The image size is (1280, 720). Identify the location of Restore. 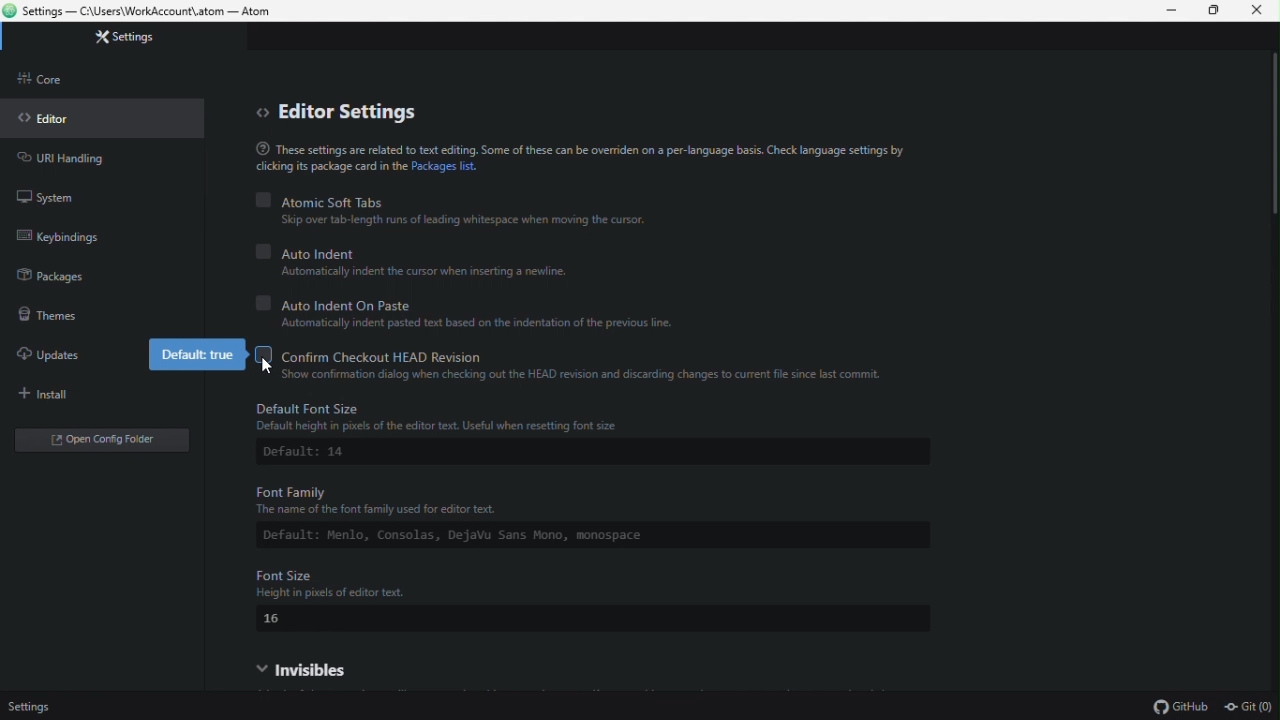
(1209, 12).